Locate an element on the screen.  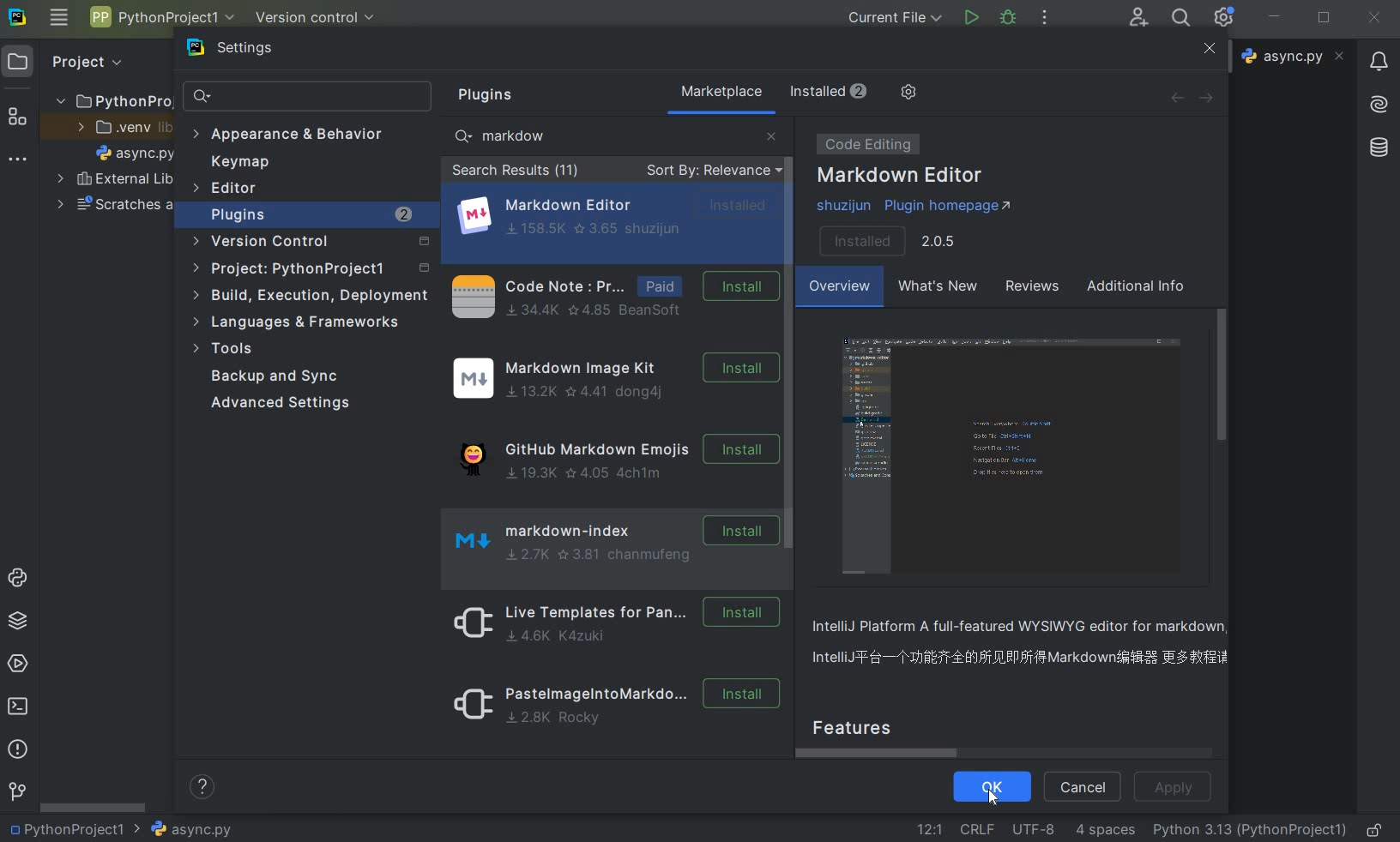
line separtor is located at coordinates (975, 828).